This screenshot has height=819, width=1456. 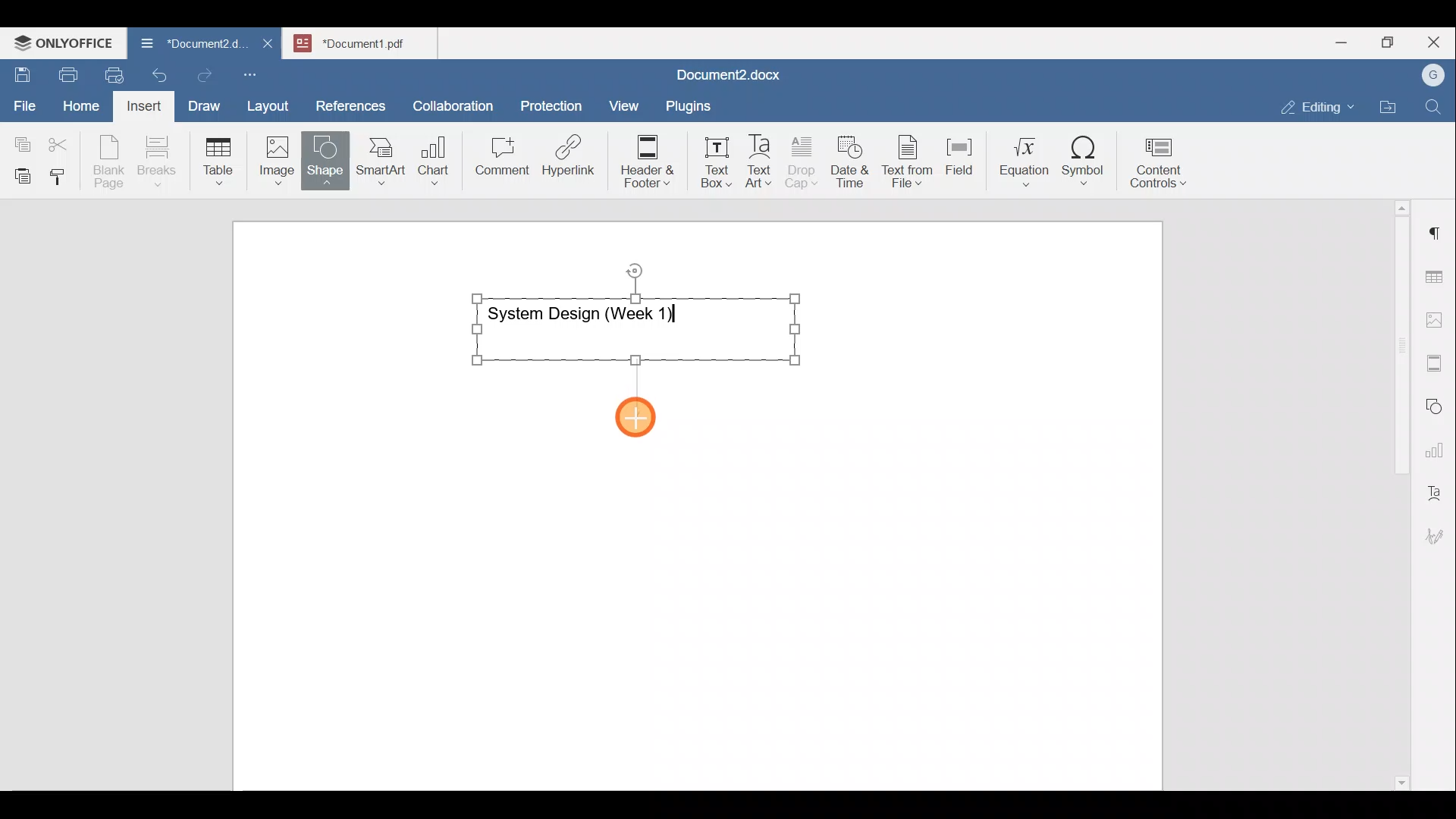 I want to click on Table, so click(x=219, y=158).